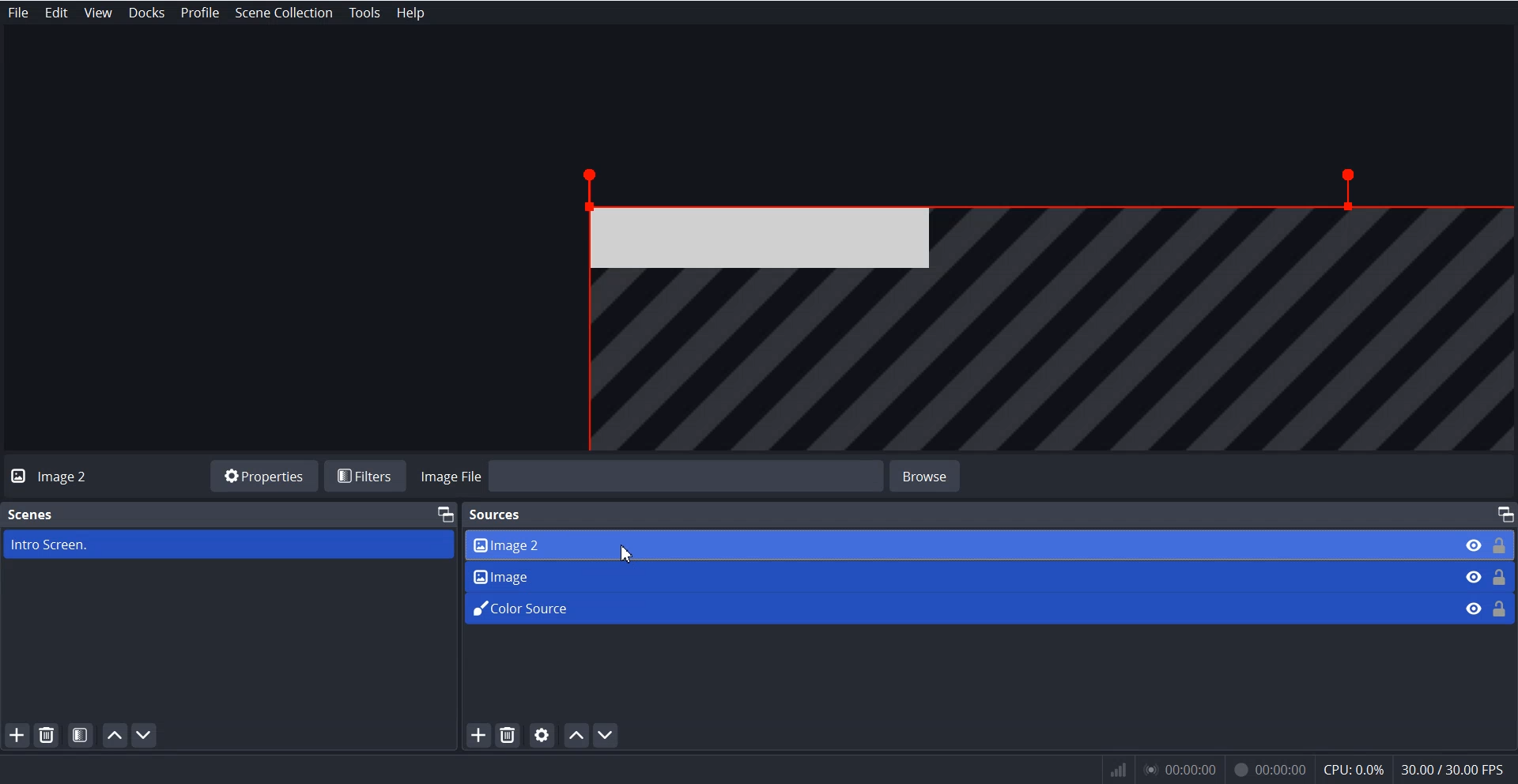  What do you see at coordinates (1501, 575) in the screenshot?
I see `Lock` at bounding box center [1501, 575].